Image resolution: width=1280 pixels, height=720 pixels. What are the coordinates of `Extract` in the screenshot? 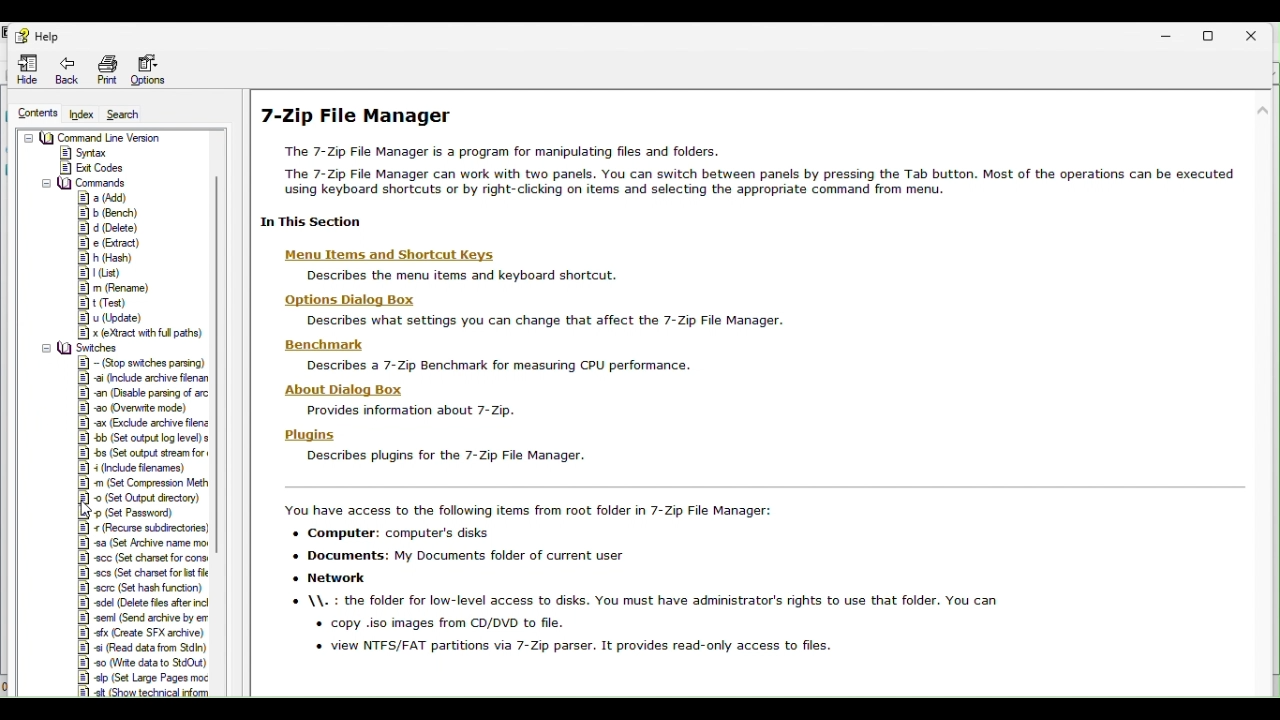 It's located at (122, 333).